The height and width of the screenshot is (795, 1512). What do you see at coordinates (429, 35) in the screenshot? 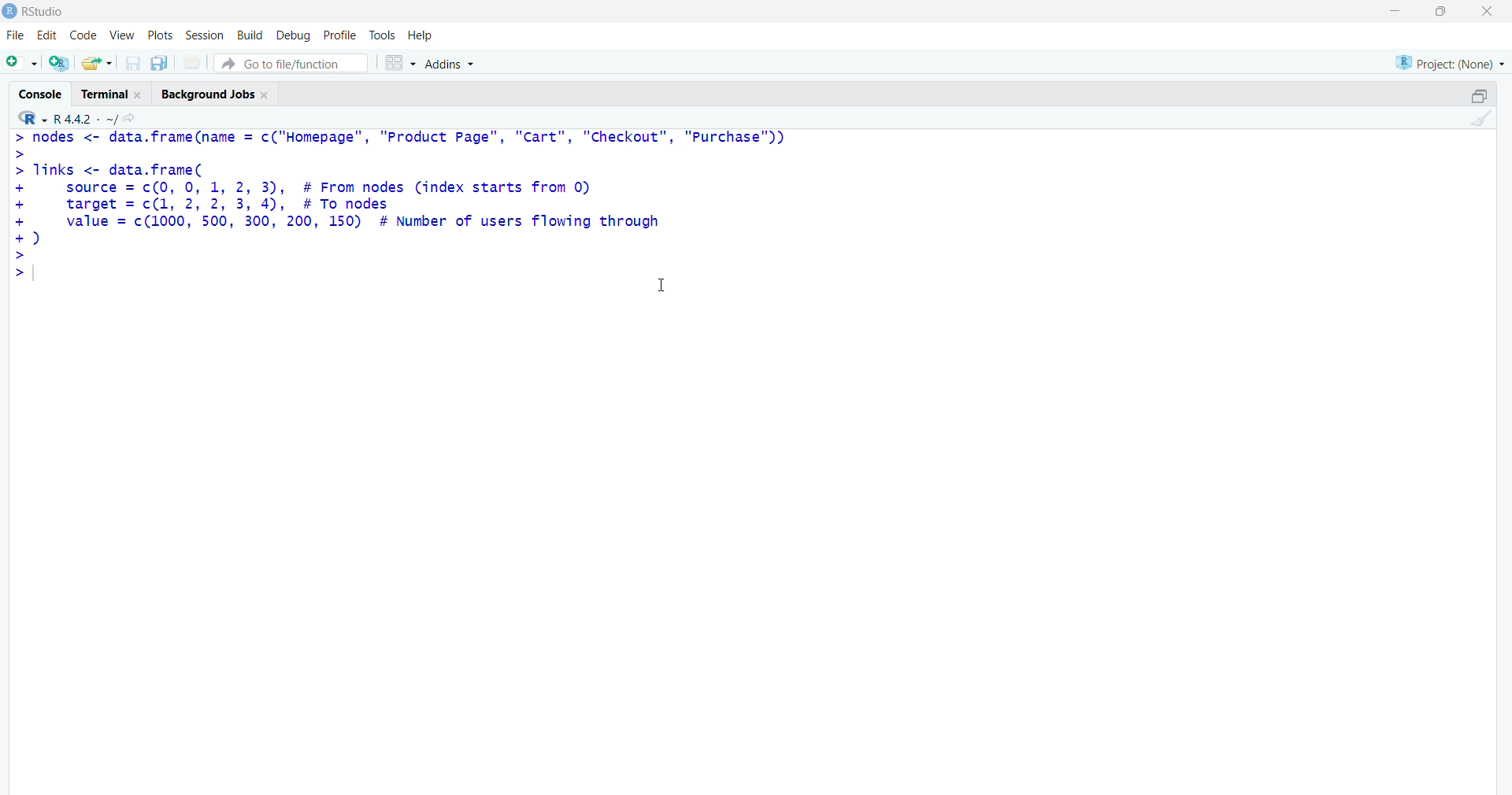
I see `help` at bounding box center [429, 35].